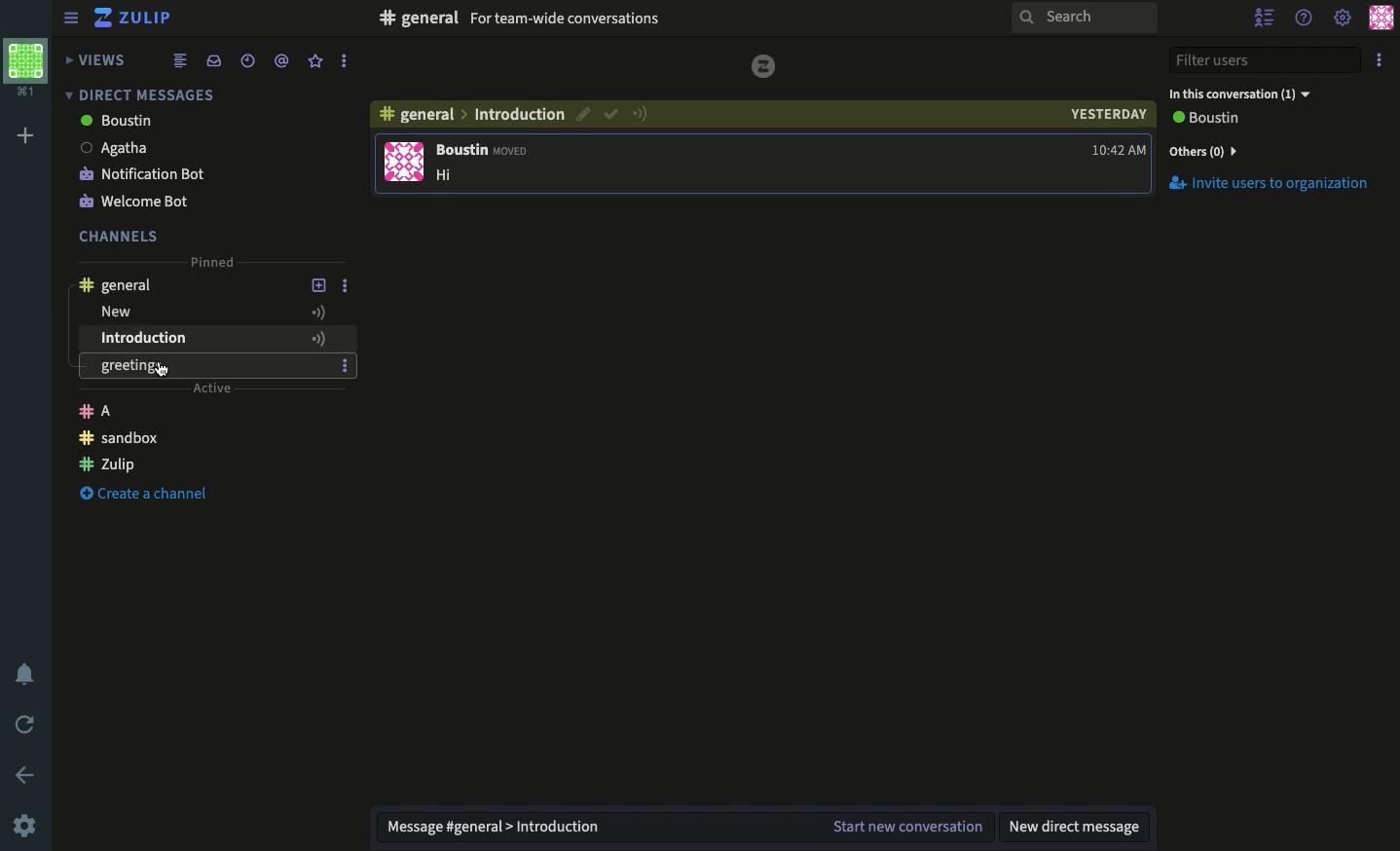 Image resolution: width=1400 pixels, height=851 pixels. Describe the element at coordinates (205, 464) in the screenshot. I see `Channel Zulip ` at that location.